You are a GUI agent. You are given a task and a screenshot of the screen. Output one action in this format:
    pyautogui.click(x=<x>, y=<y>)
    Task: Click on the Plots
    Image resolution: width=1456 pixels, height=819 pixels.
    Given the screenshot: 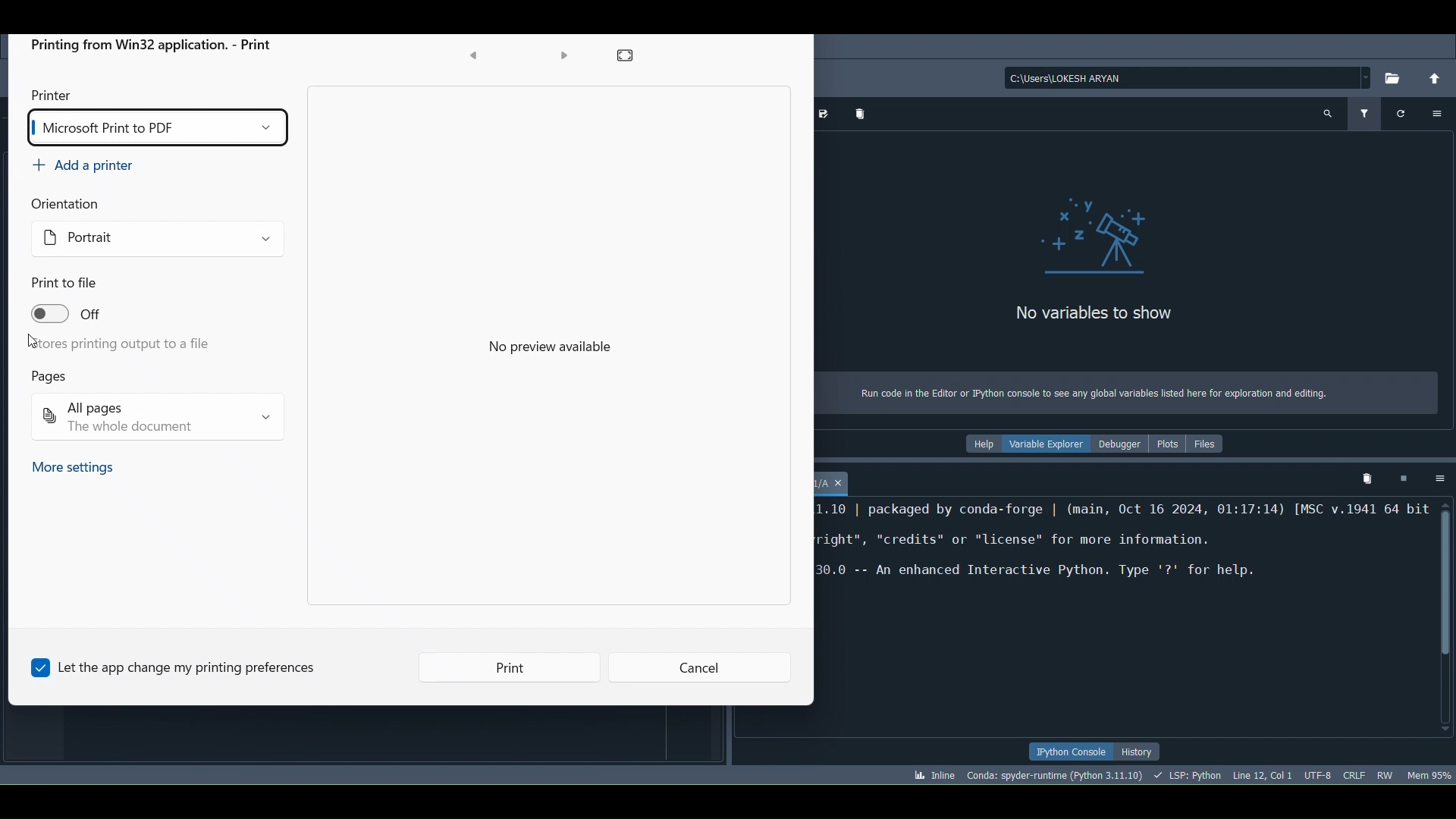 What is the action you would take?
    pyautogui.click(x=1171, y=445)
    